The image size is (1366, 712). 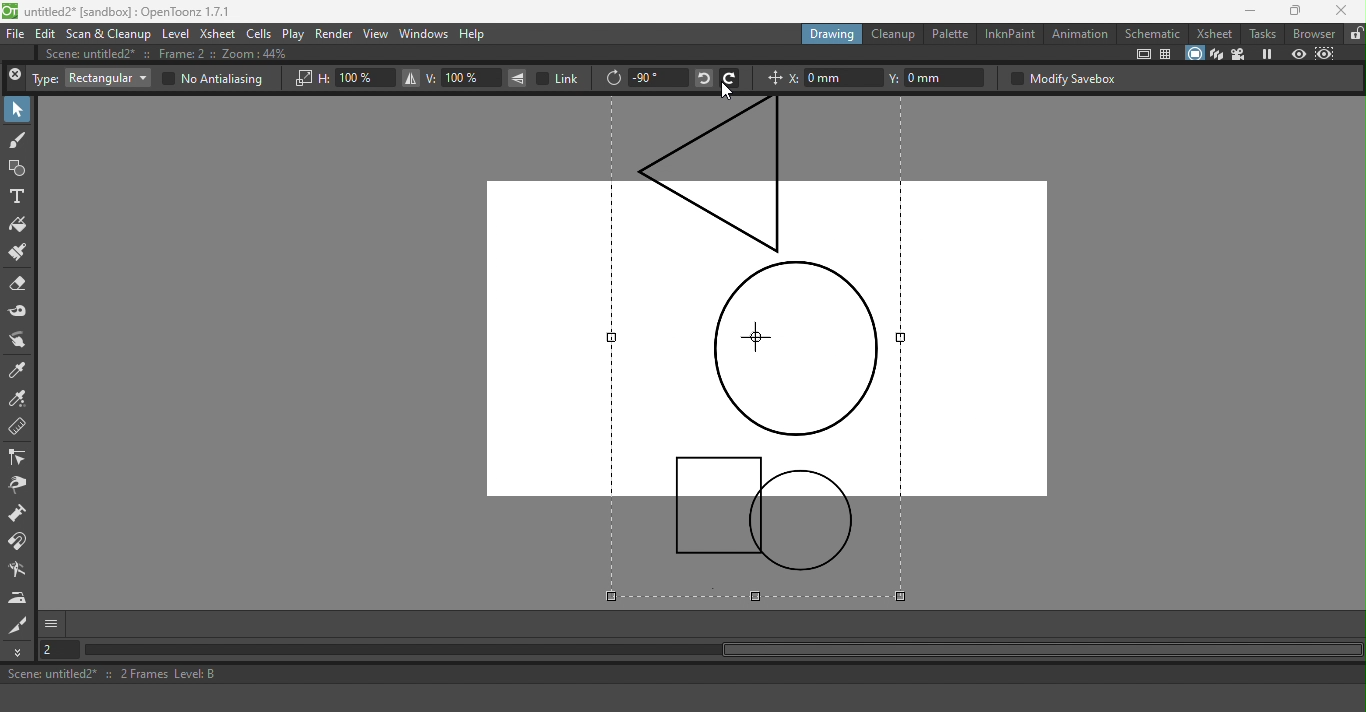 I want to click on Rotate selection left, so click(x=702, y=77).